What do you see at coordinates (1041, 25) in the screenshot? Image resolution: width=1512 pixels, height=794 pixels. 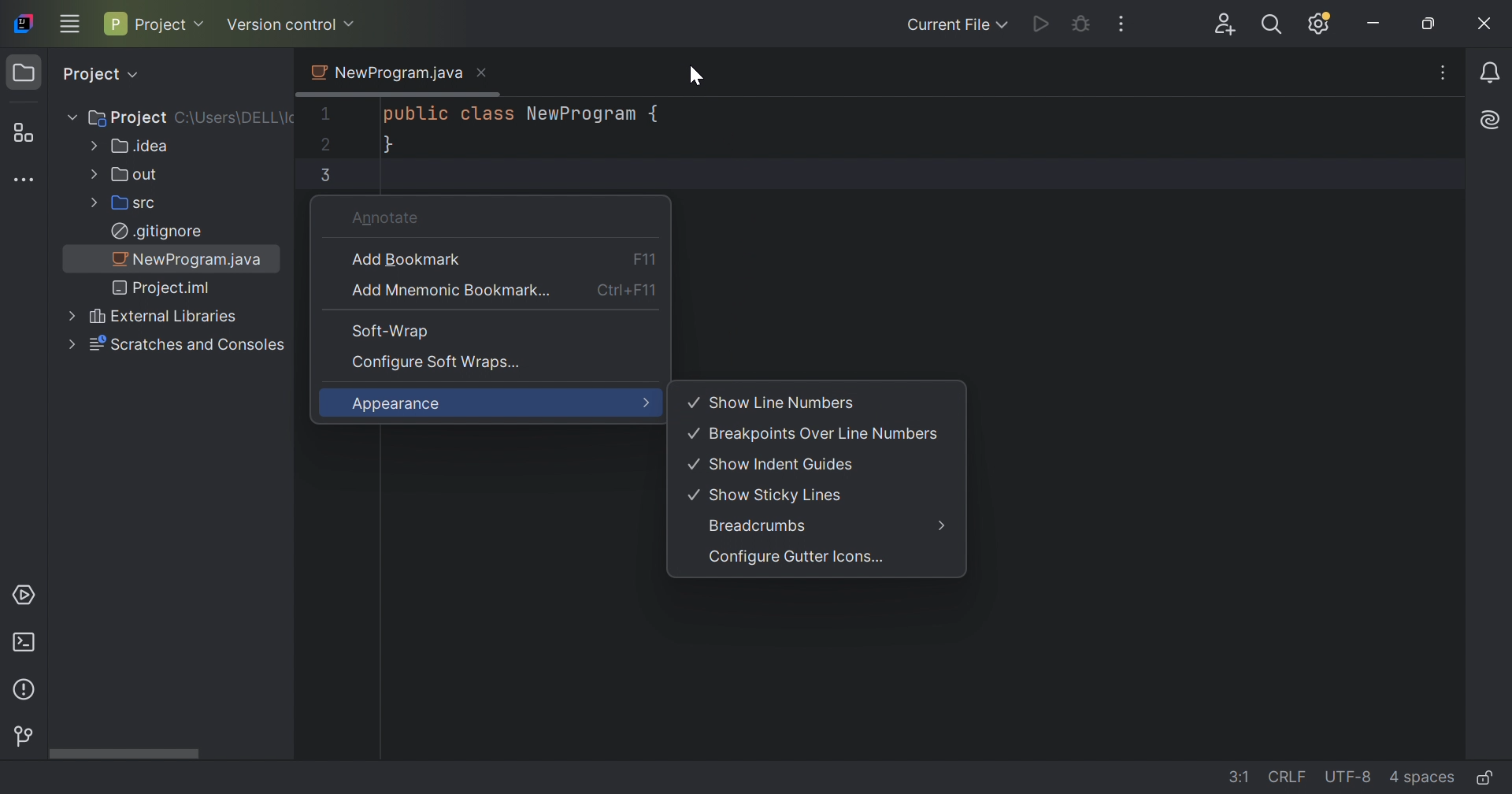 I see `Run NewProgram.java` at bounding box center [1041, 25].